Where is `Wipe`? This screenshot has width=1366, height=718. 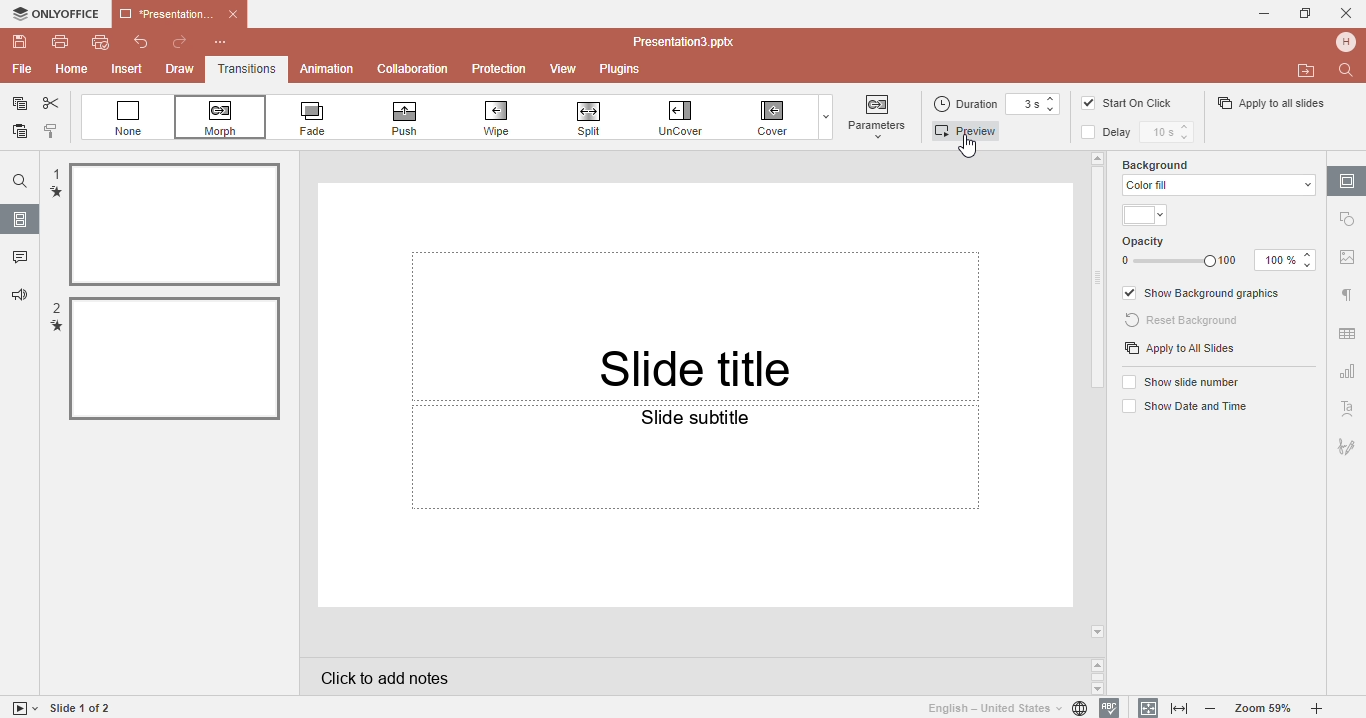
Wipe is located at coordinates (508, 117).